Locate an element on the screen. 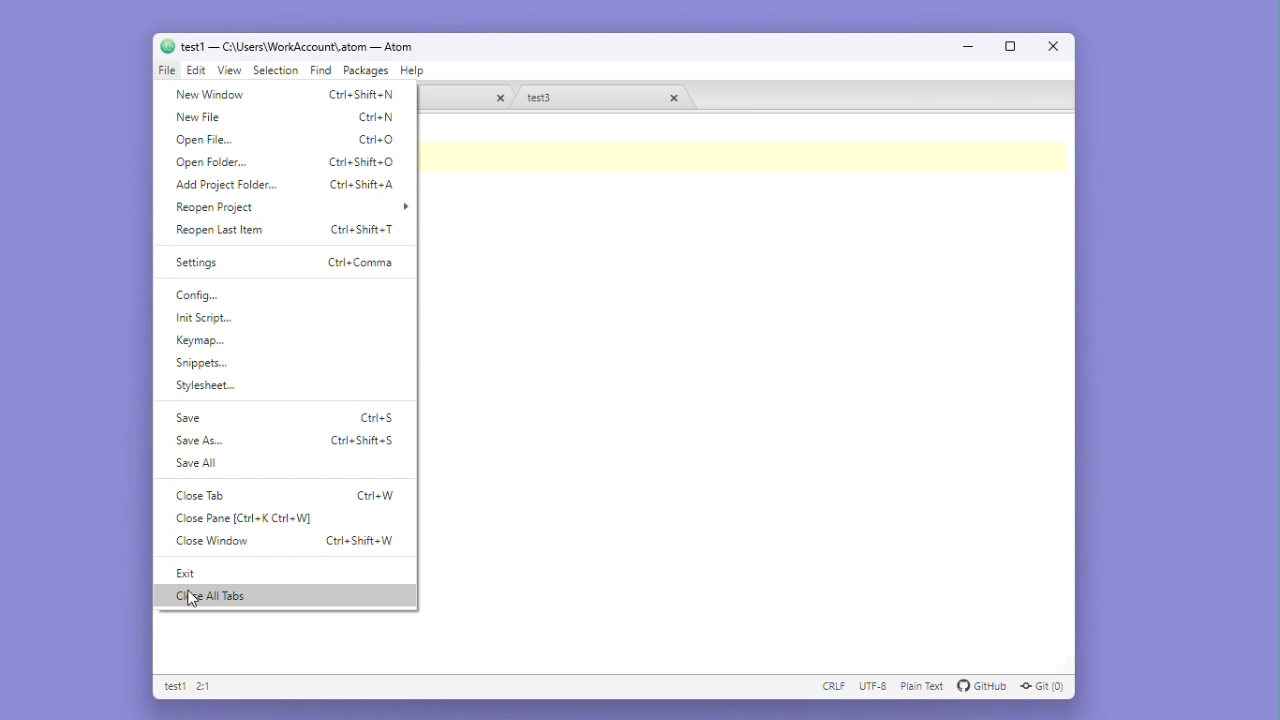 The width and height of the screenshot is (1280, 720). close is located at coordinates (669, 98).